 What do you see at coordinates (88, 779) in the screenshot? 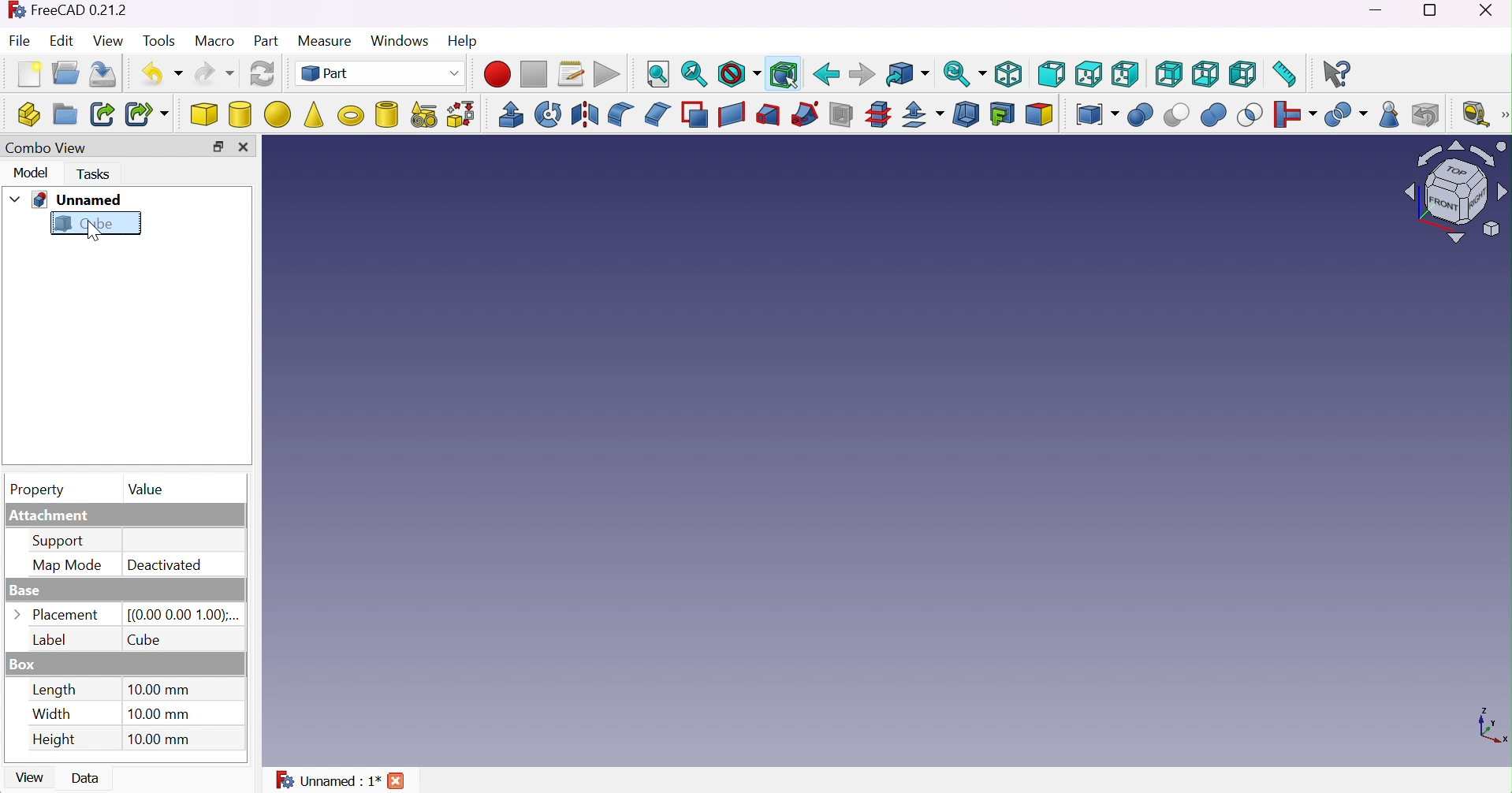
I see `Data` at bounding box center [88, 779].